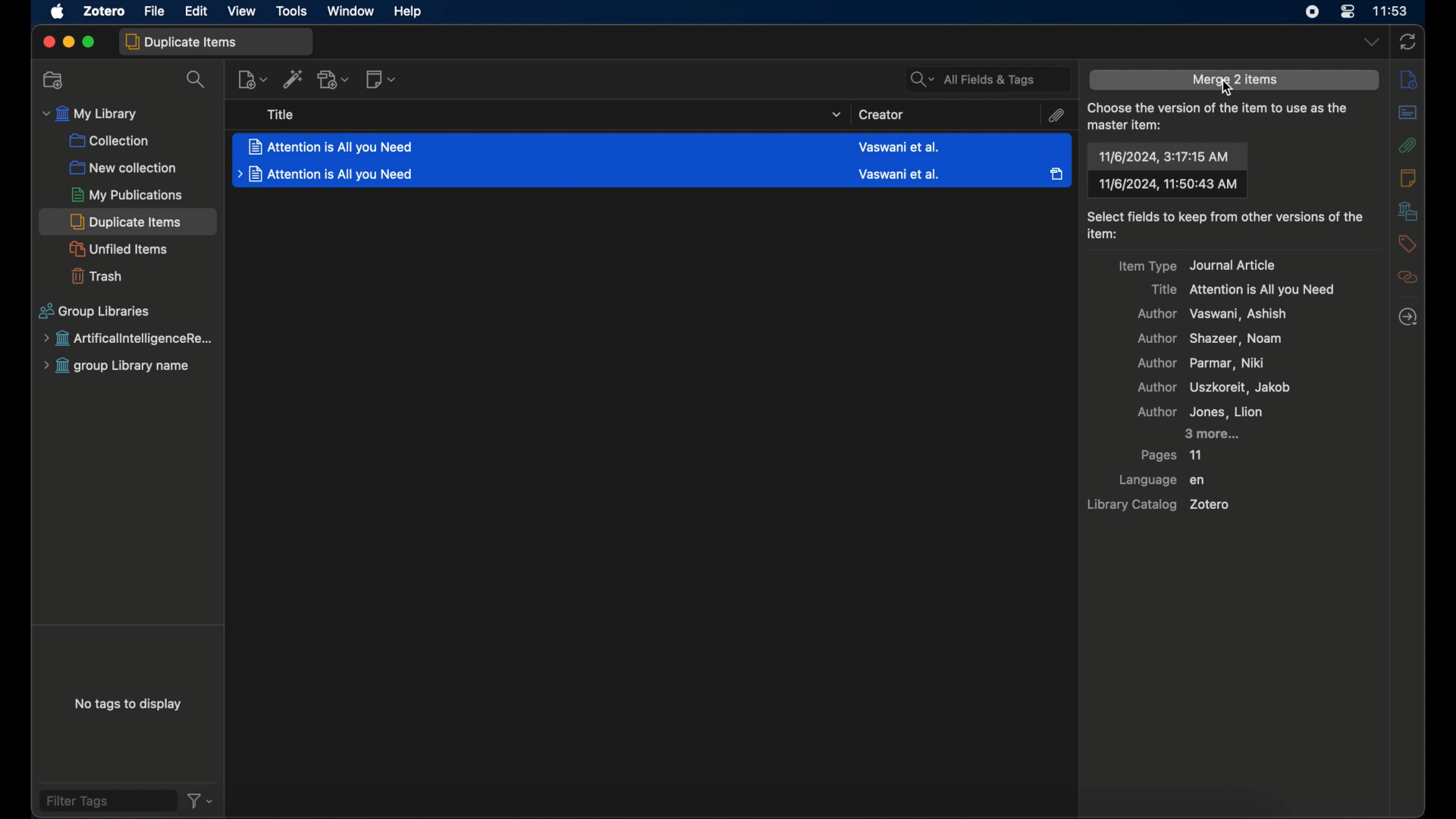 Image resolution: width=1456 pixels, height=819 pixels. What do you see at coordinates (1217, 117) in the screenshot?
I see `choose the version of theater house as the master item` at bounding box center [1217, 117].